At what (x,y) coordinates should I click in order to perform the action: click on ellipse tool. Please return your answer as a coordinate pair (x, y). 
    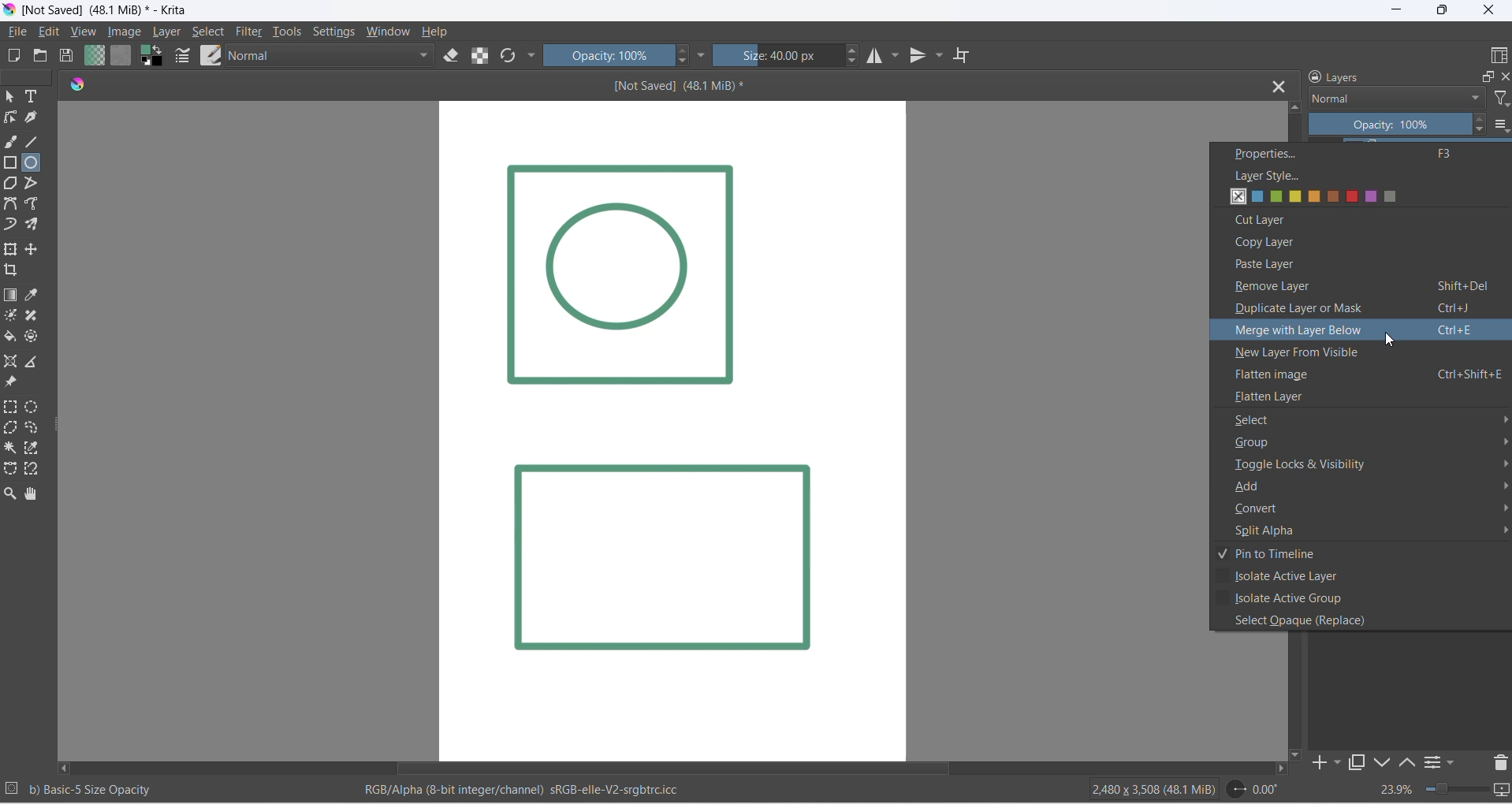
    Looking at the image, I should click on (37, 164).